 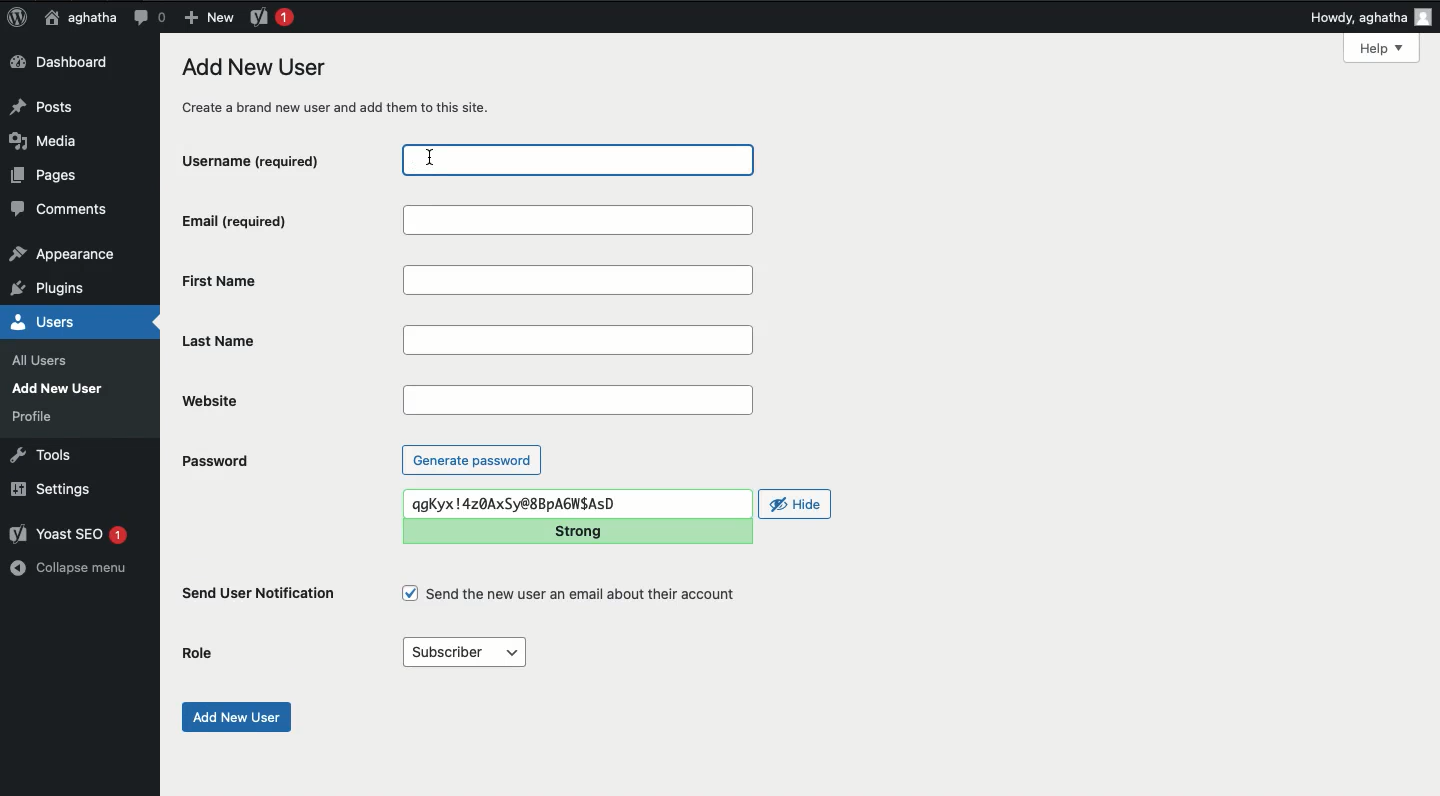 What do you see at coordinates (198, 654) in the screenshot?
I see `Role` at bounding box center [198, 654].